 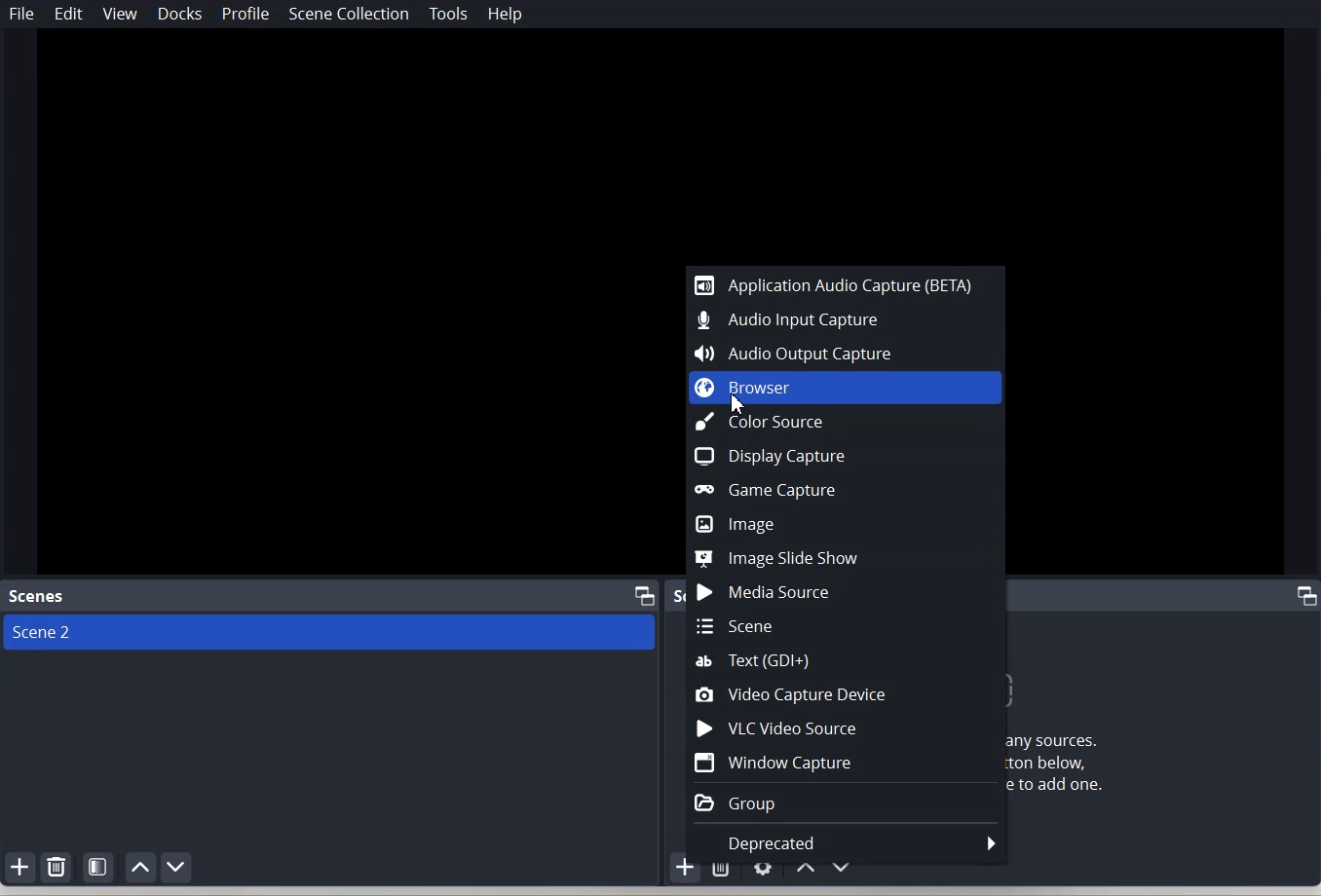 I want to click on cursor, so click(x=738, y=404).